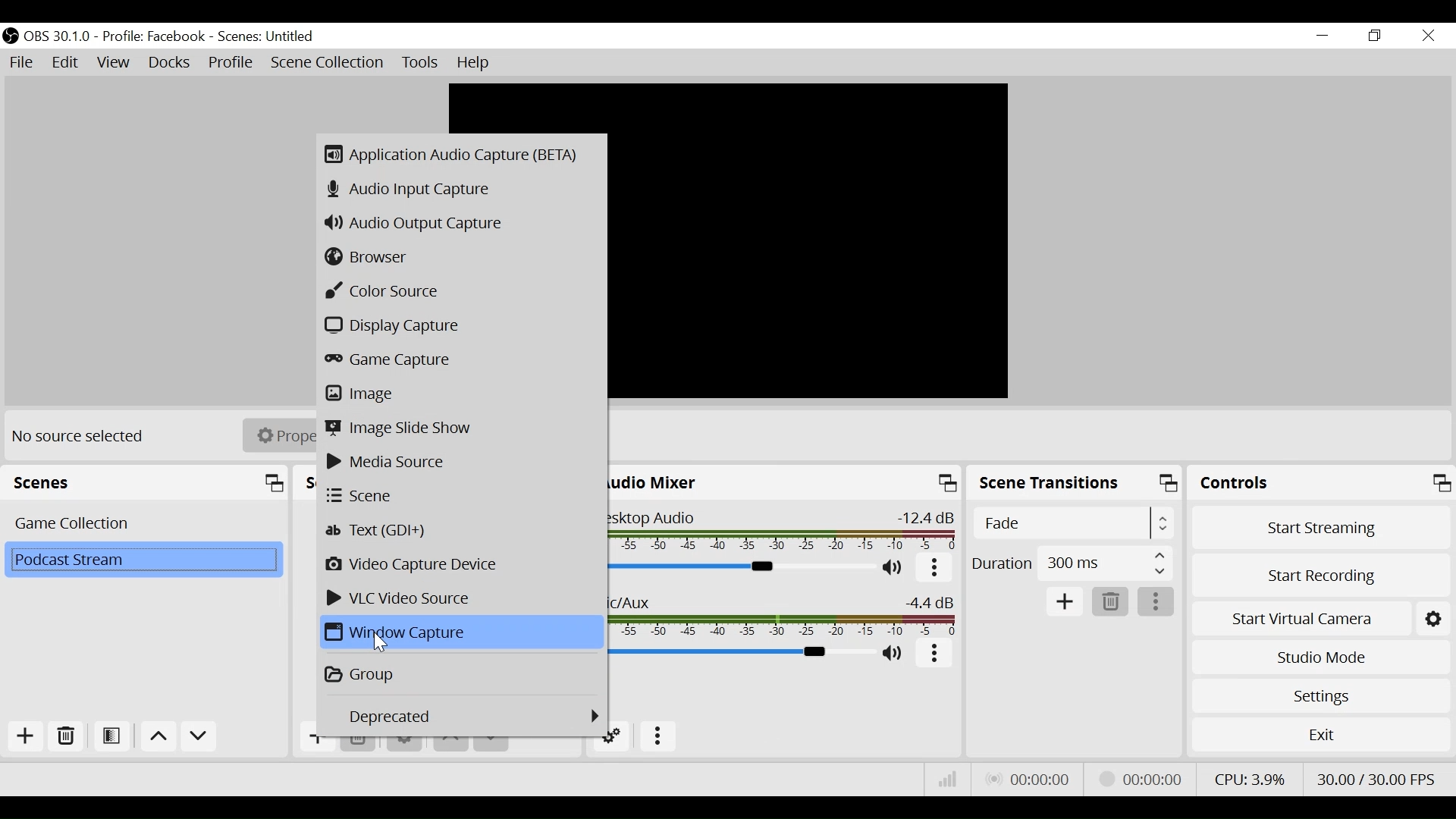 The height and width of the screenshot is (819, 1456). Describe the element at coordinates (1075, 482) in the screenshot. I see `Scene Transitions Panel` at that location.